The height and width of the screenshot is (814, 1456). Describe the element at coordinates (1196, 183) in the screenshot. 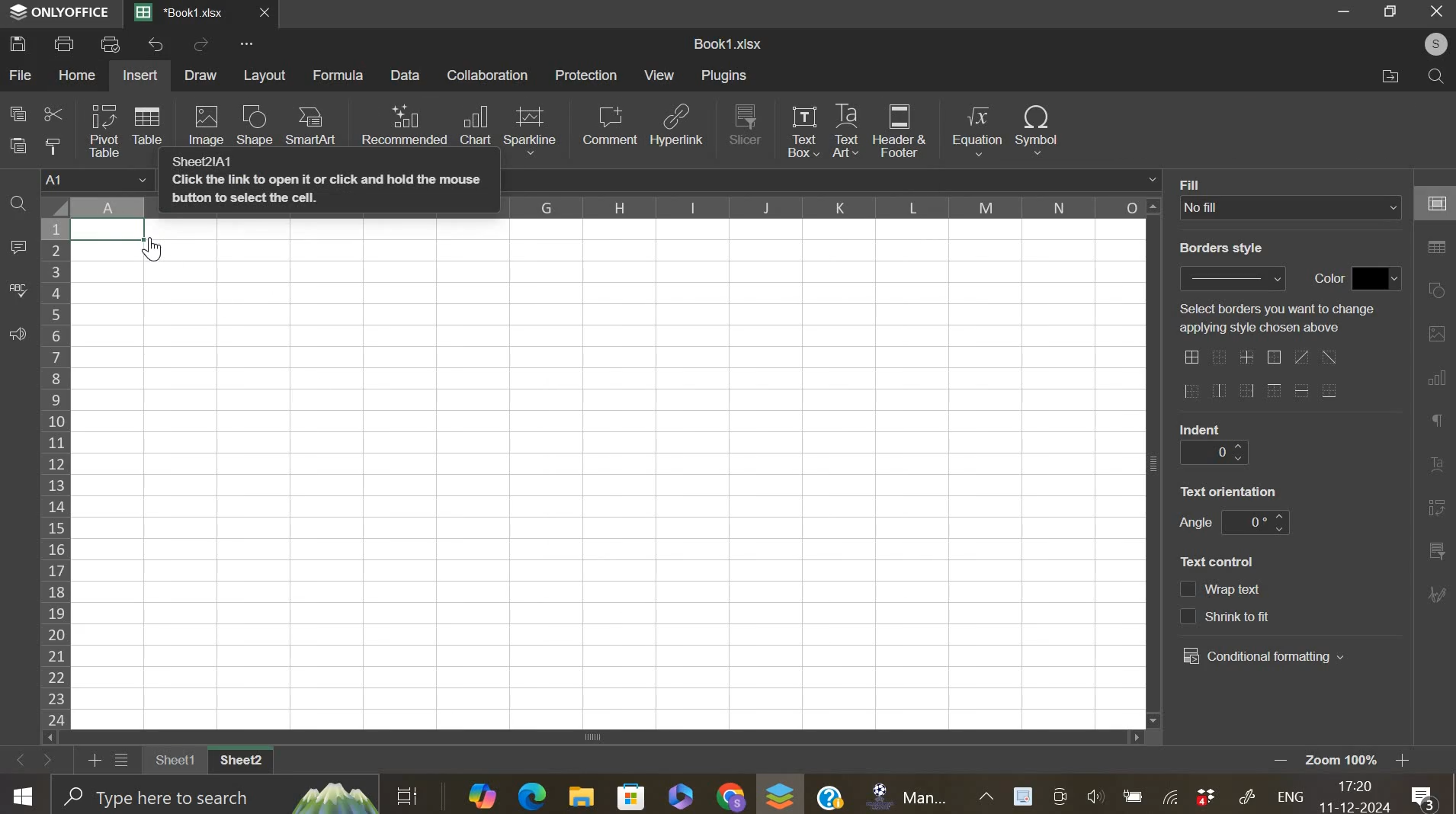

I see `text` at that location.